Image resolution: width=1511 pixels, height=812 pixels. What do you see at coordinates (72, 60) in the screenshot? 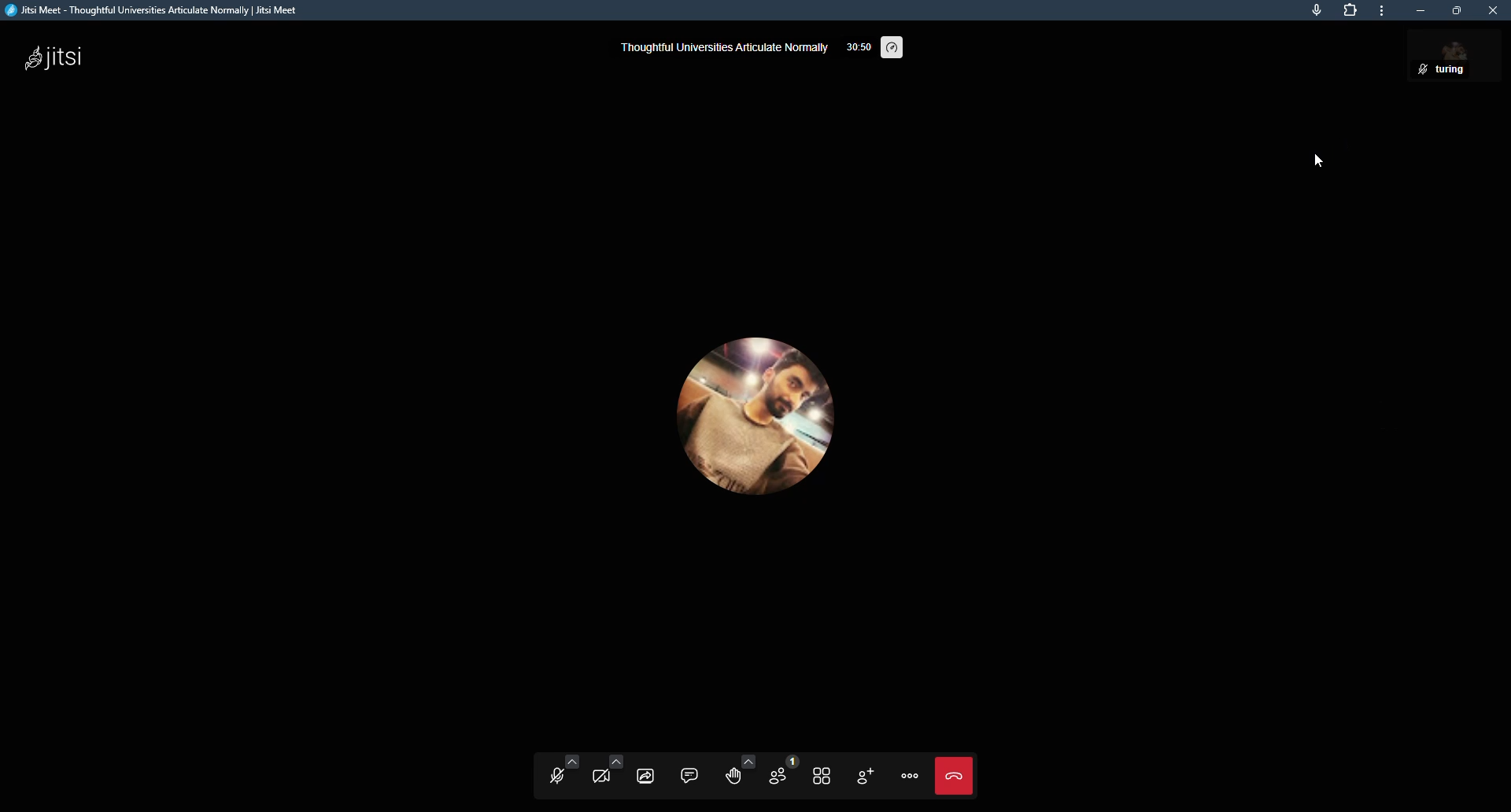
I see `jitsi` at bounding box center [72, 60].